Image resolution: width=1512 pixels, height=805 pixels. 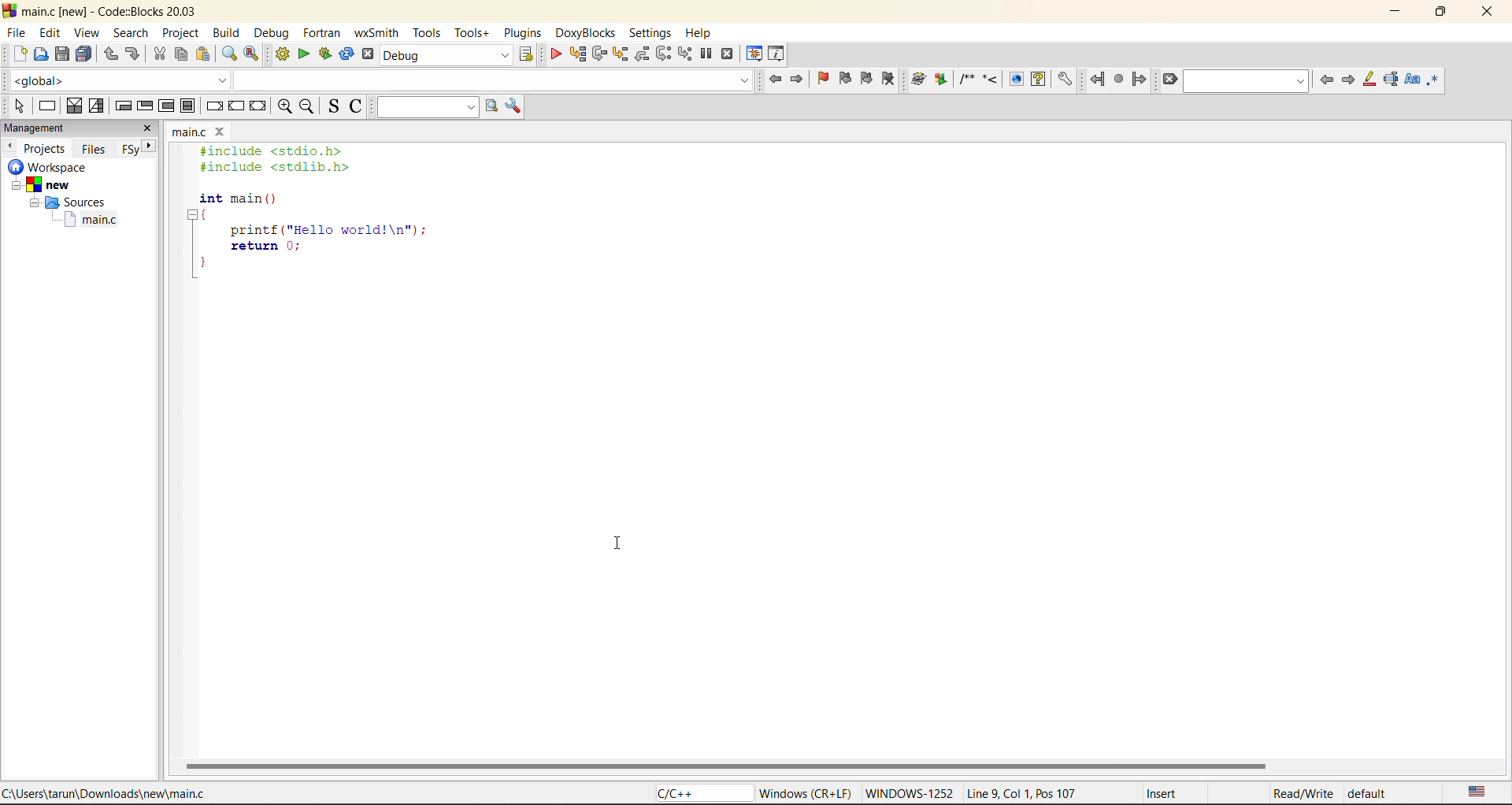 I want to click on previous bookmark, so click(x=846, y=79).